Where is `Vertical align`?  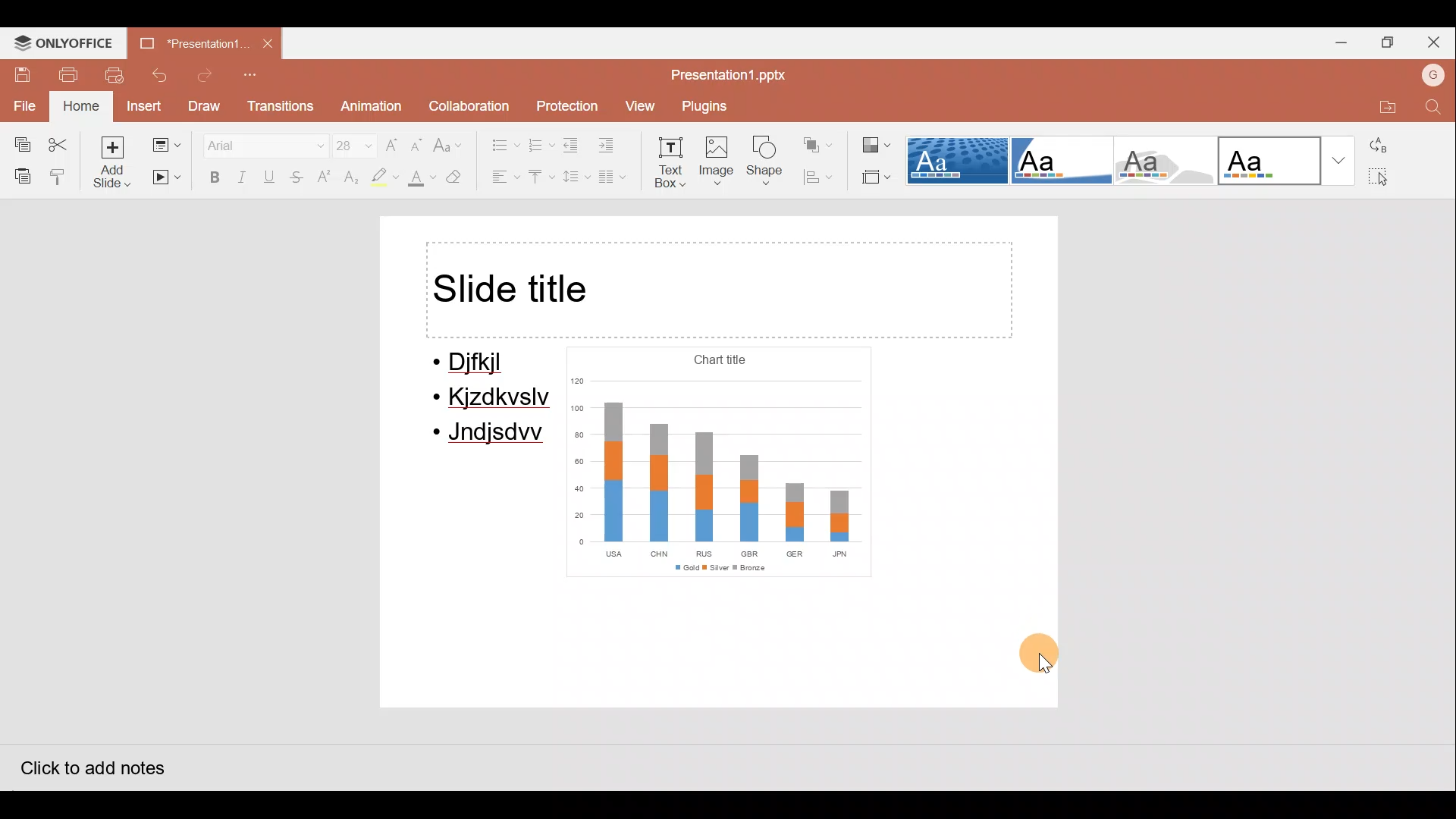 Vertical align is located at coordinates (538, 178).